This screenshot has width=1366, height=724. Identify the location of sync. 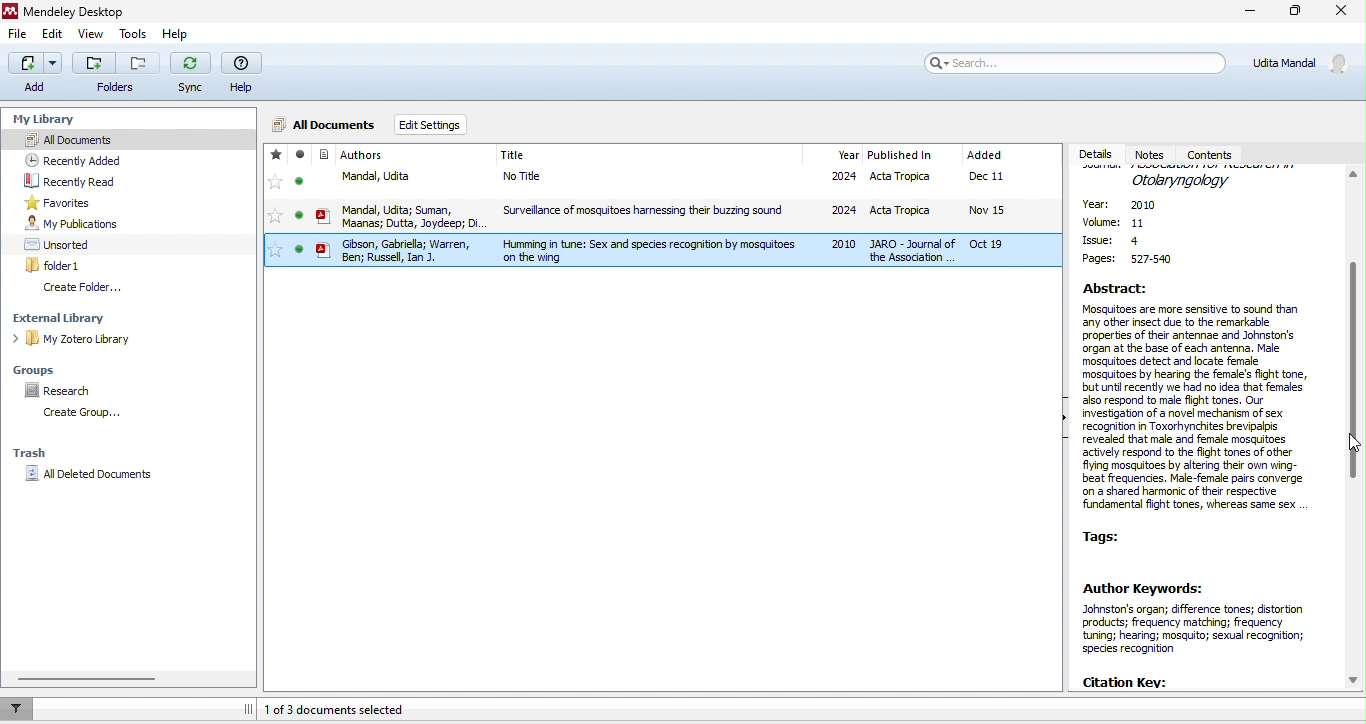
(192, 75).